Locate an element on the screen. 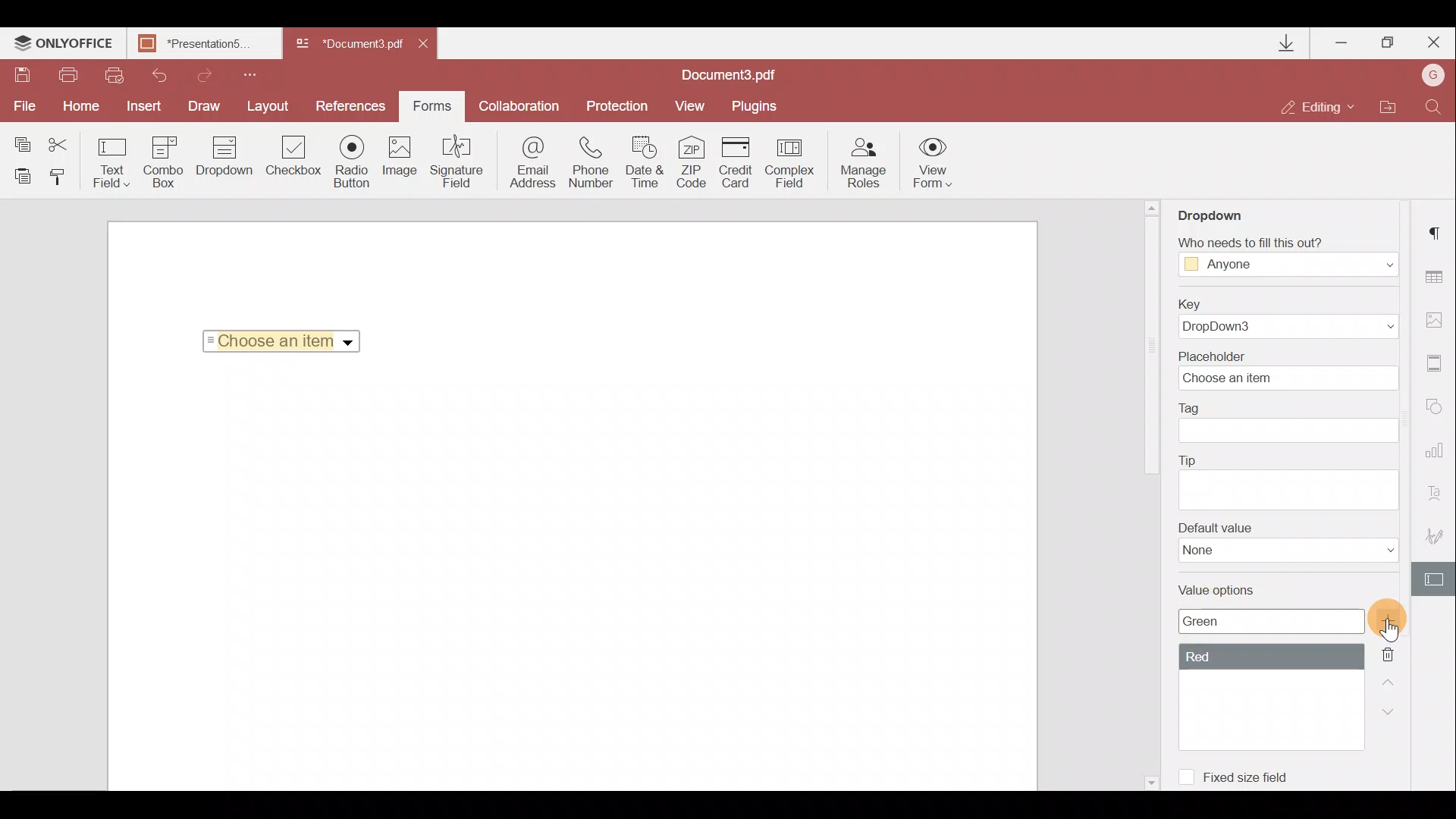 The width and height of the screenshot is (1456, 819). Plugins is located at coordinates (756, 107).